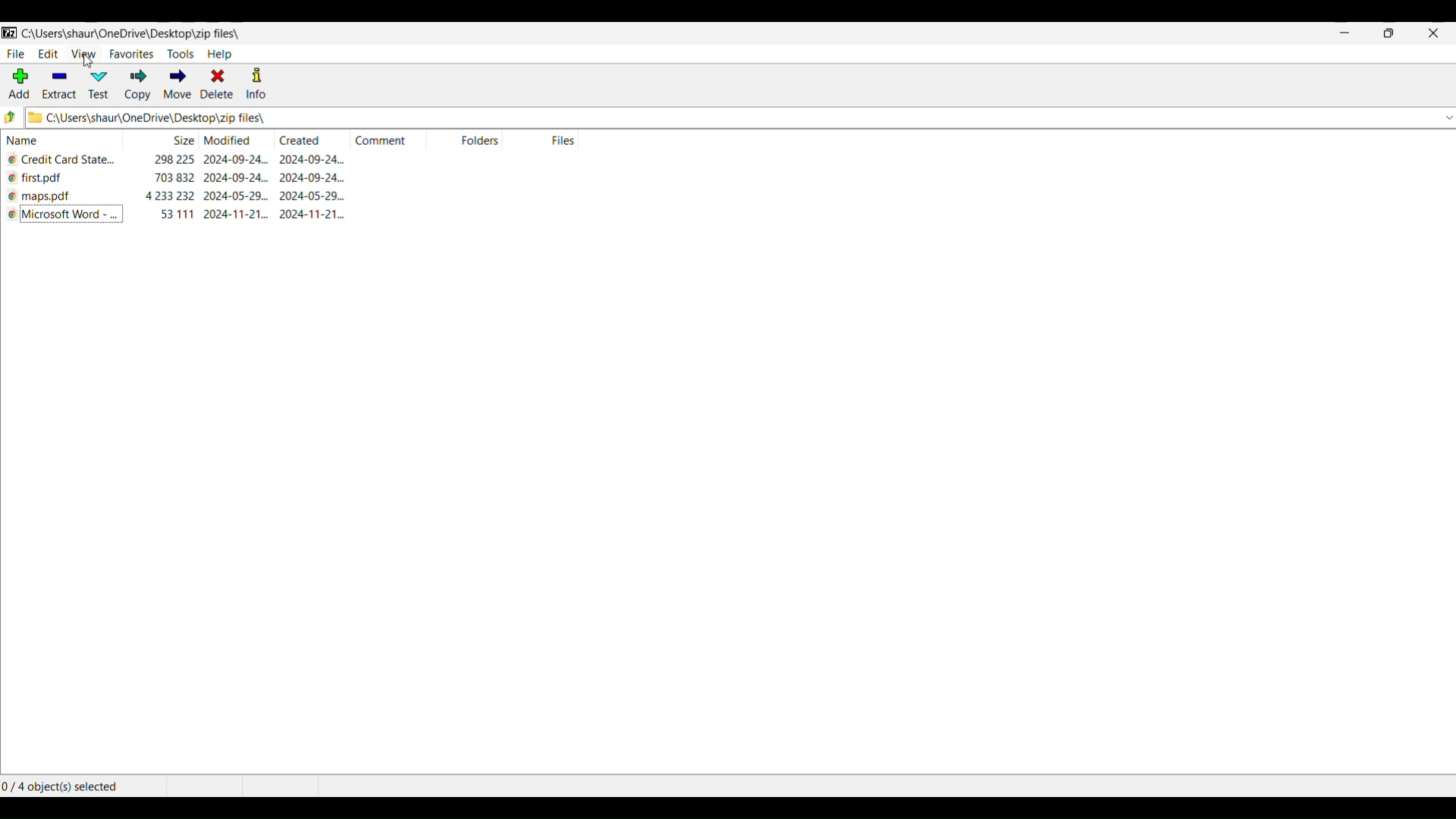  What do you see at coordinates (135, 86) in the screenshot?
I see `copy` at bounding box center [135, 86].